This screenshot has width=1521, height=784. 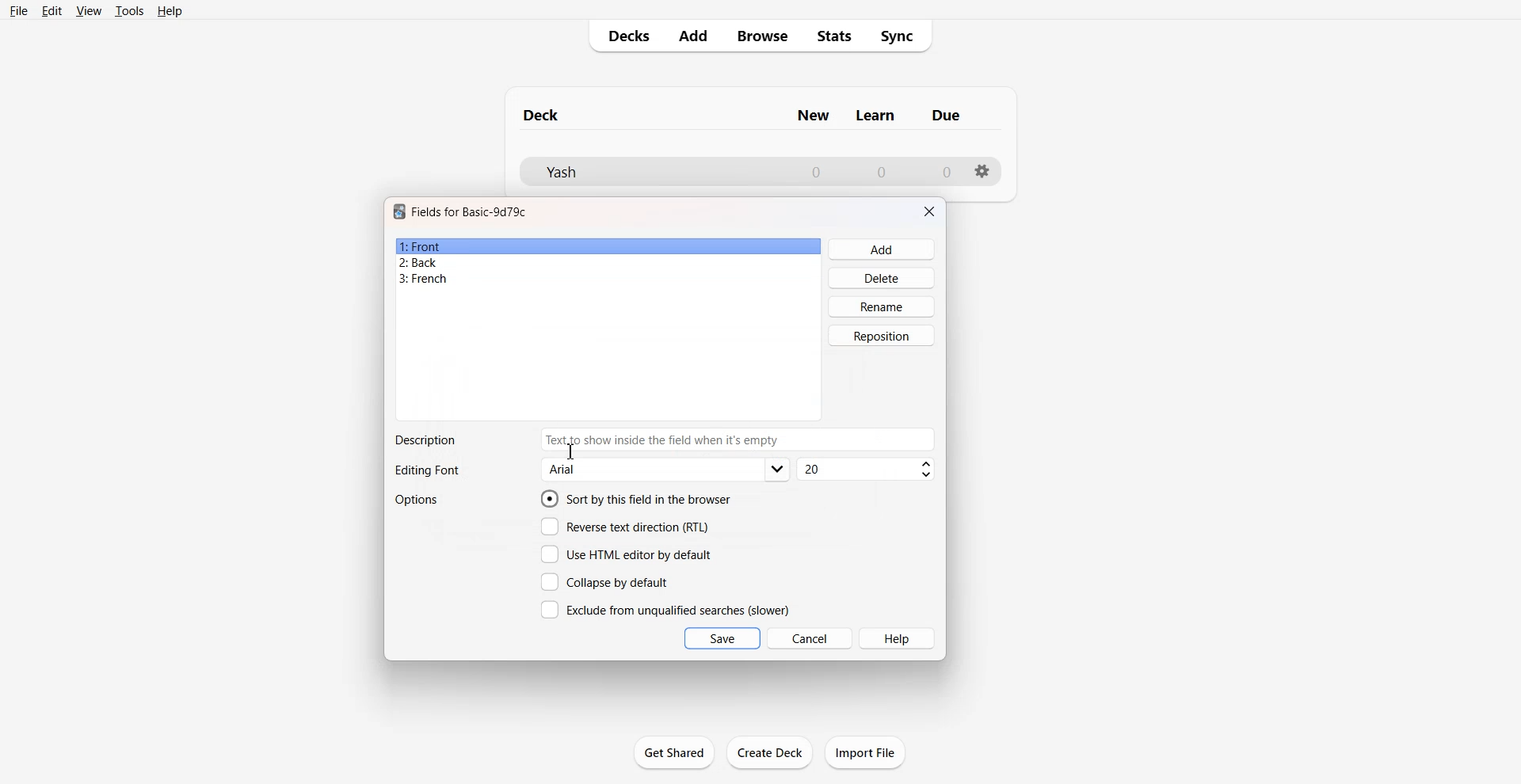 What do you see at coordinates (867, 470) in the screenshot?
I see `Font size` at bounding box center [867, 470].